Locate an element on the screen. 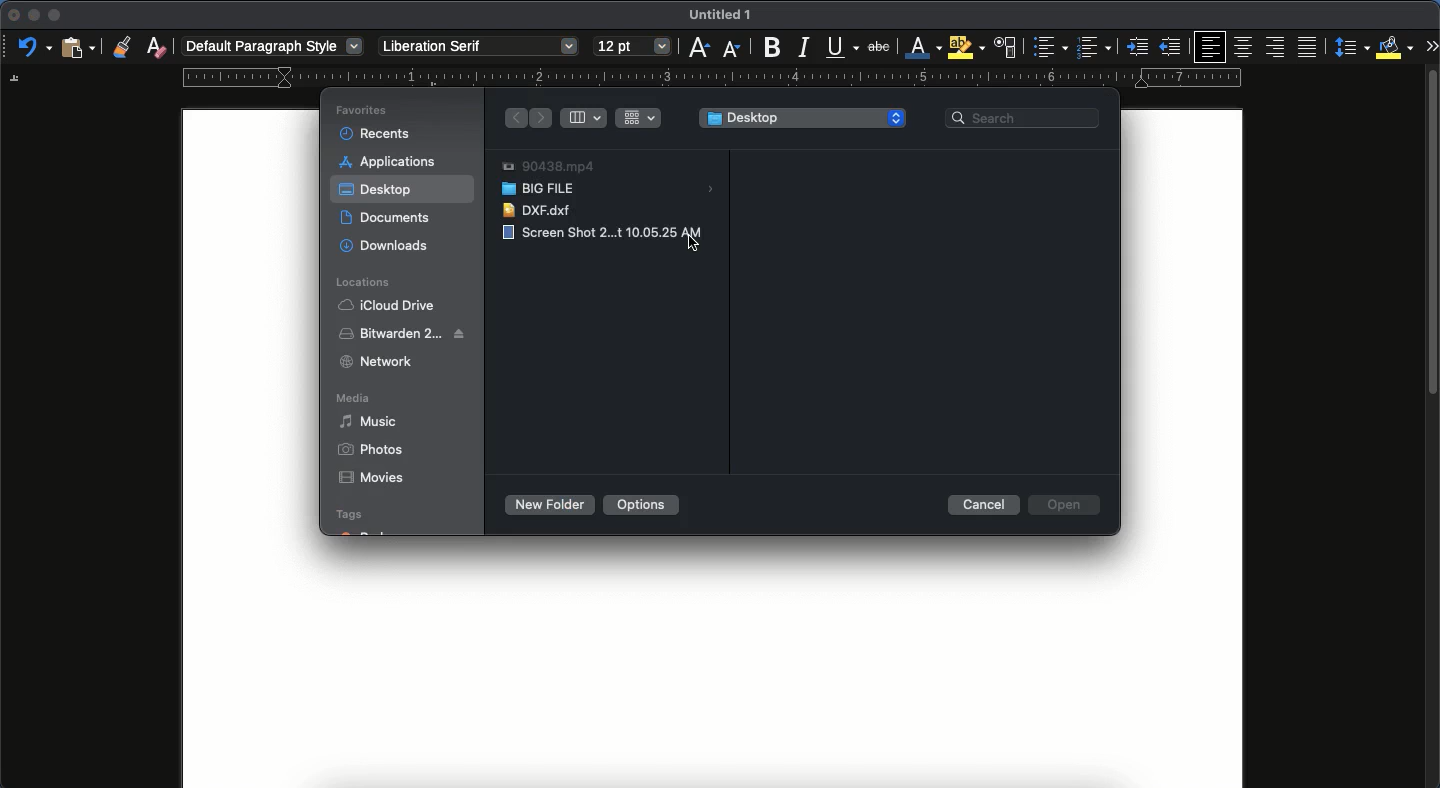 The image size is (1440, 788). big file is located at coordinates (610, 190).